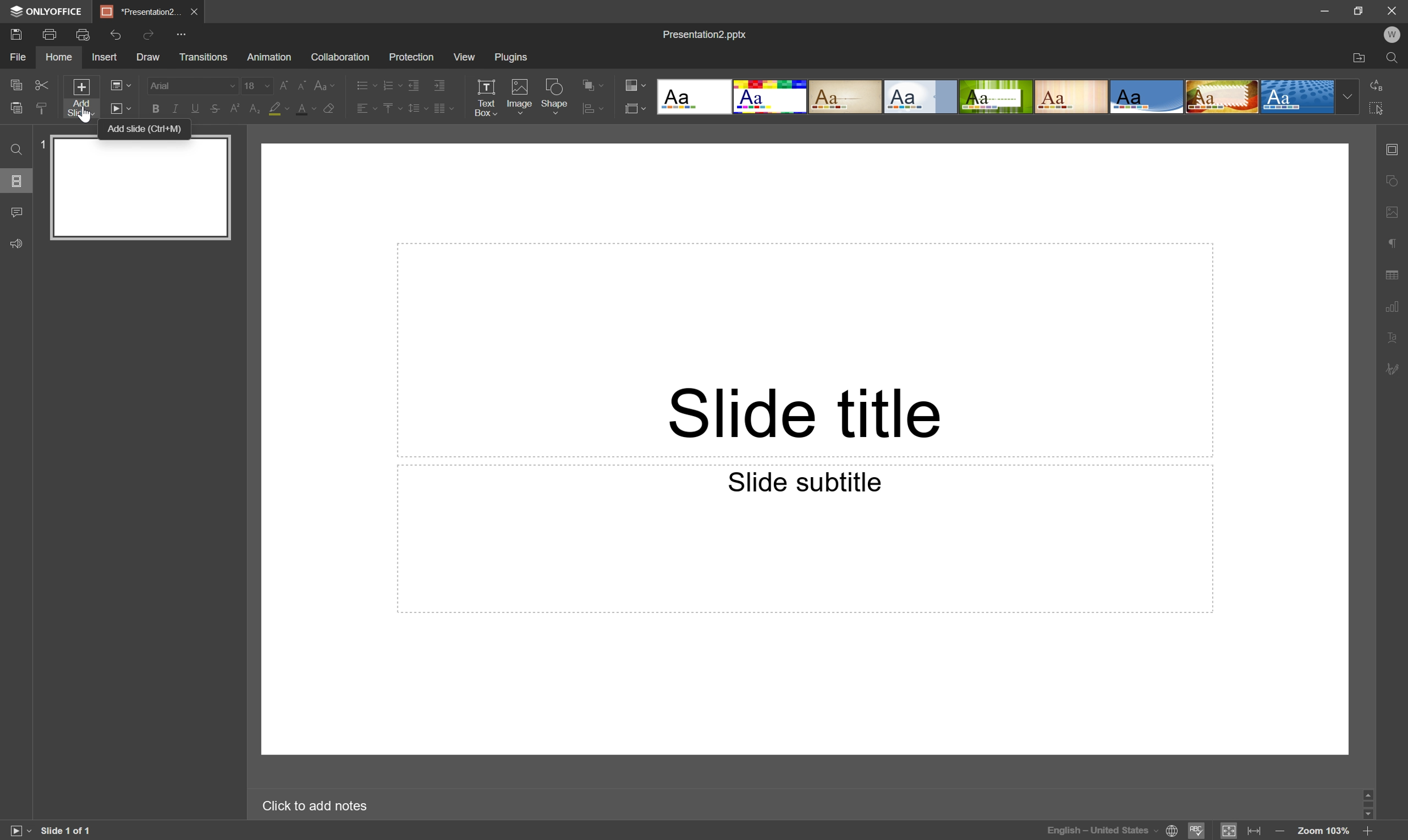  I want to click on Customize quick access toolbar, so click(184, 33).